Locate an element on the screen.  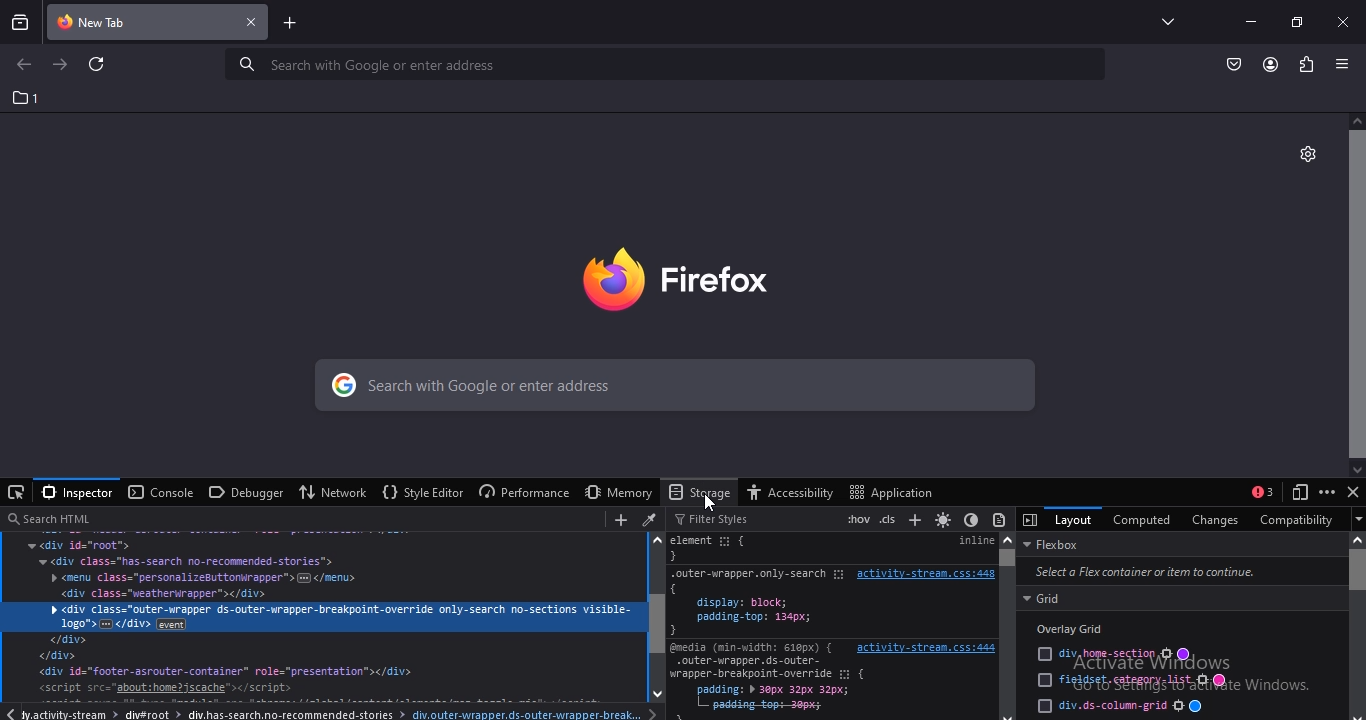
scroll bar is located at coordinates (1357, 294).